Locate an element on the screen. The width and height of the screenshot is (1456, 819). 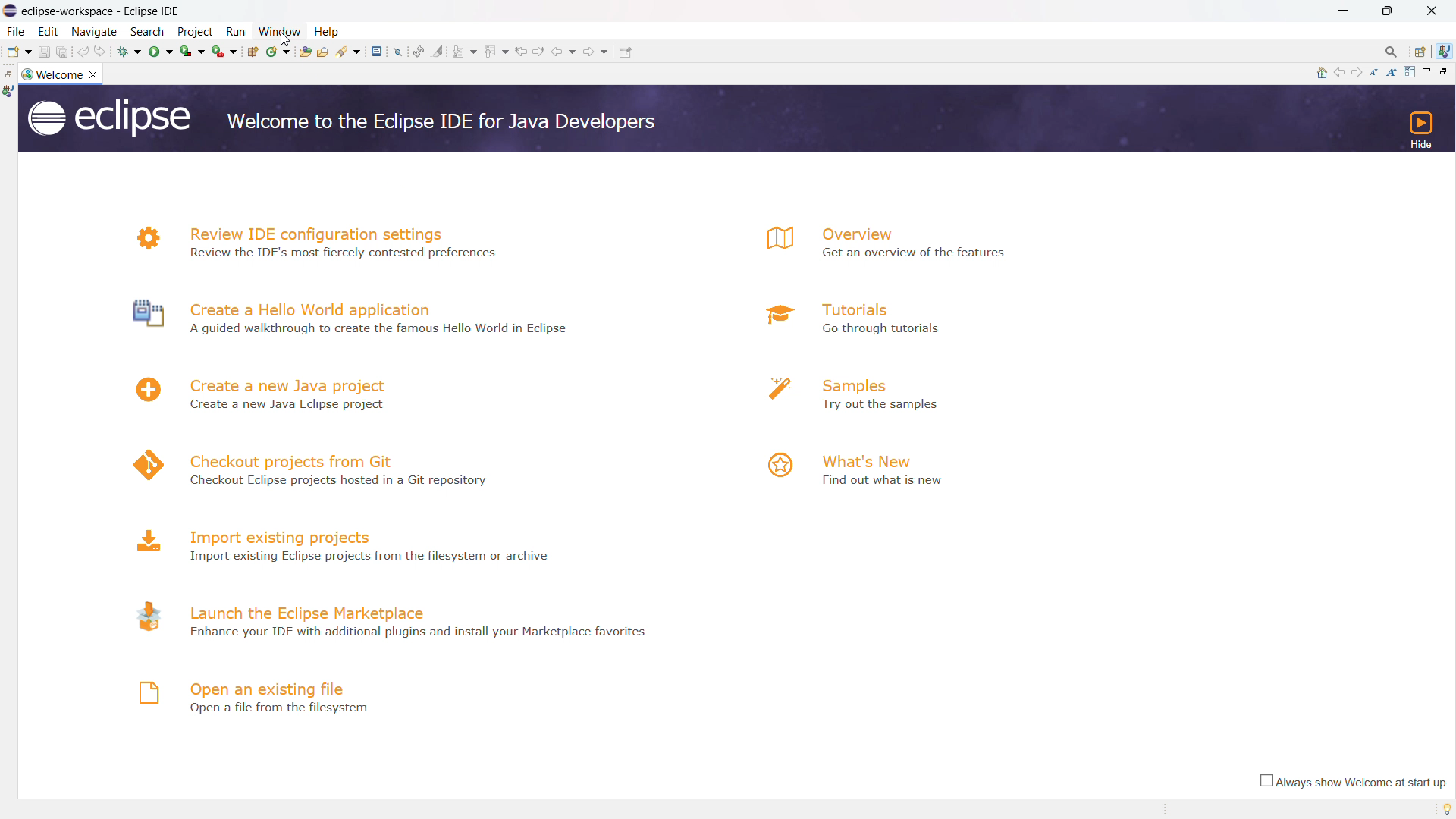
new java class is located at coordinates (278, 52).